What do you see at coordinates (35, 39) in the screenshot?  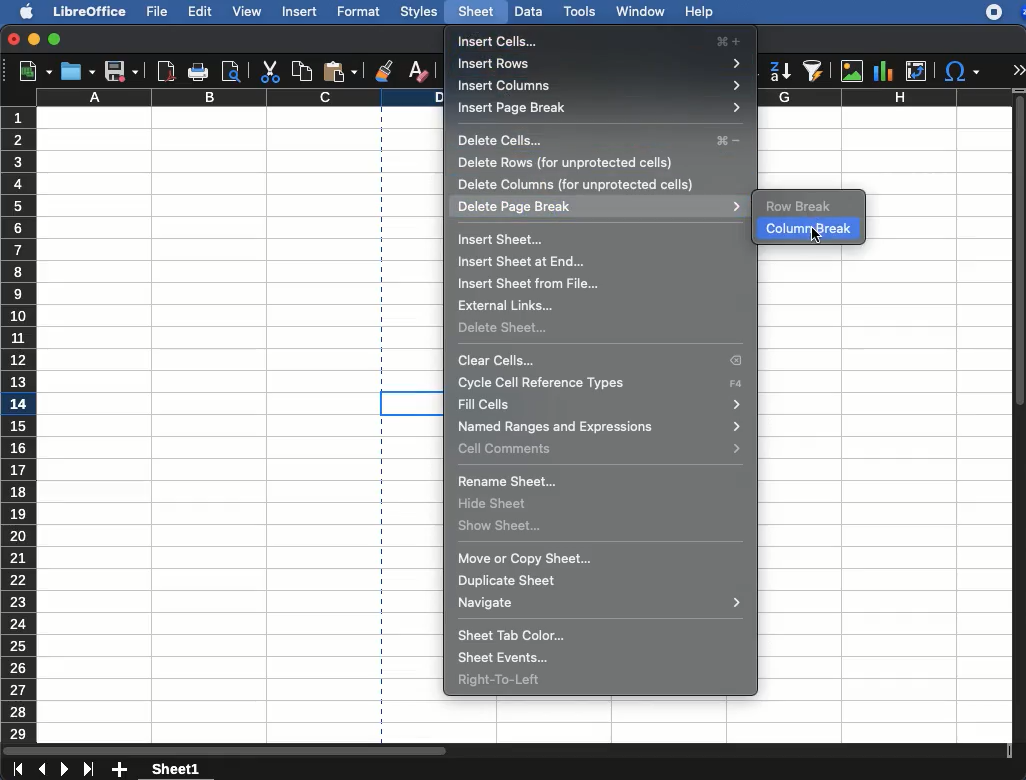 I see `minimize` at bounding box center [35, 39].